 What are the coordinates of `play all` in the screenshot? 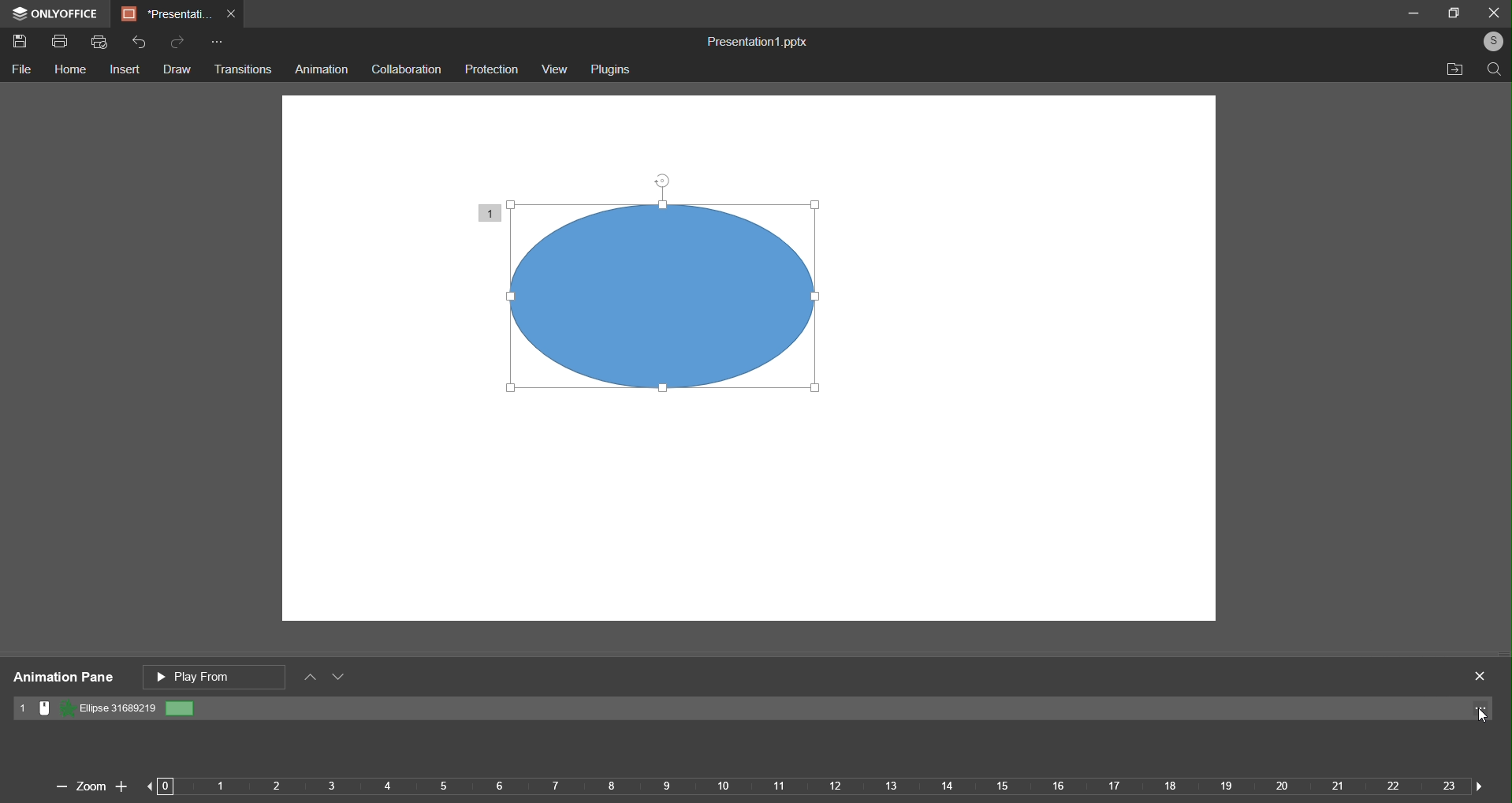 It's located at (216, 675).